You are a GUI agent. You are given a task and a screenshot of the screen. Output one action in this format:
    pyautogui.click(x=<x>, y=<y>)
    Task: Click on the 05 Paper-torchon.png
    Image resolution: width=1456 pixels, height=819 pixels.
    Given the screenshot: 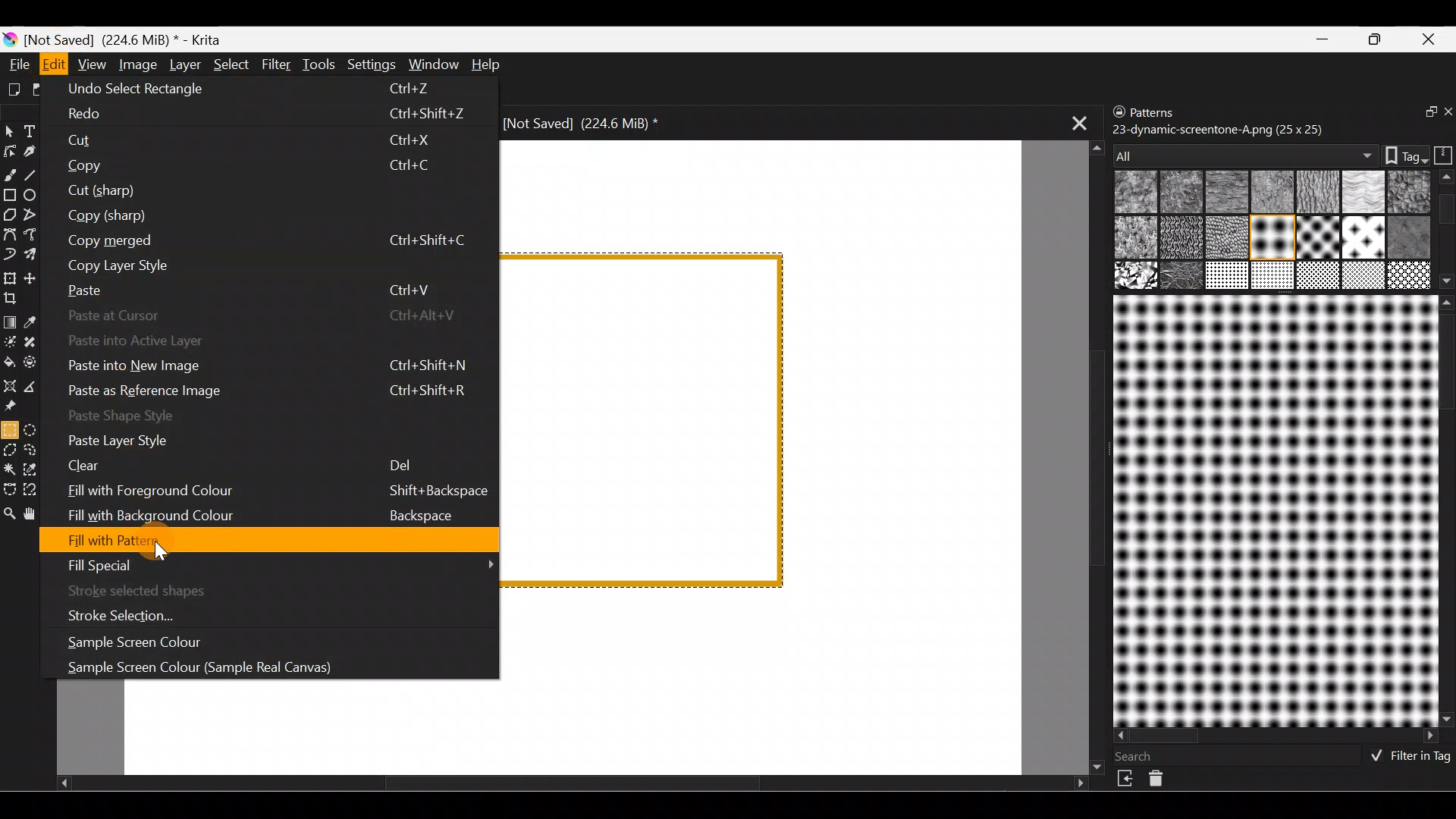 What is the action you would take?
    pyautogui.click(x=1366, y=193)
    